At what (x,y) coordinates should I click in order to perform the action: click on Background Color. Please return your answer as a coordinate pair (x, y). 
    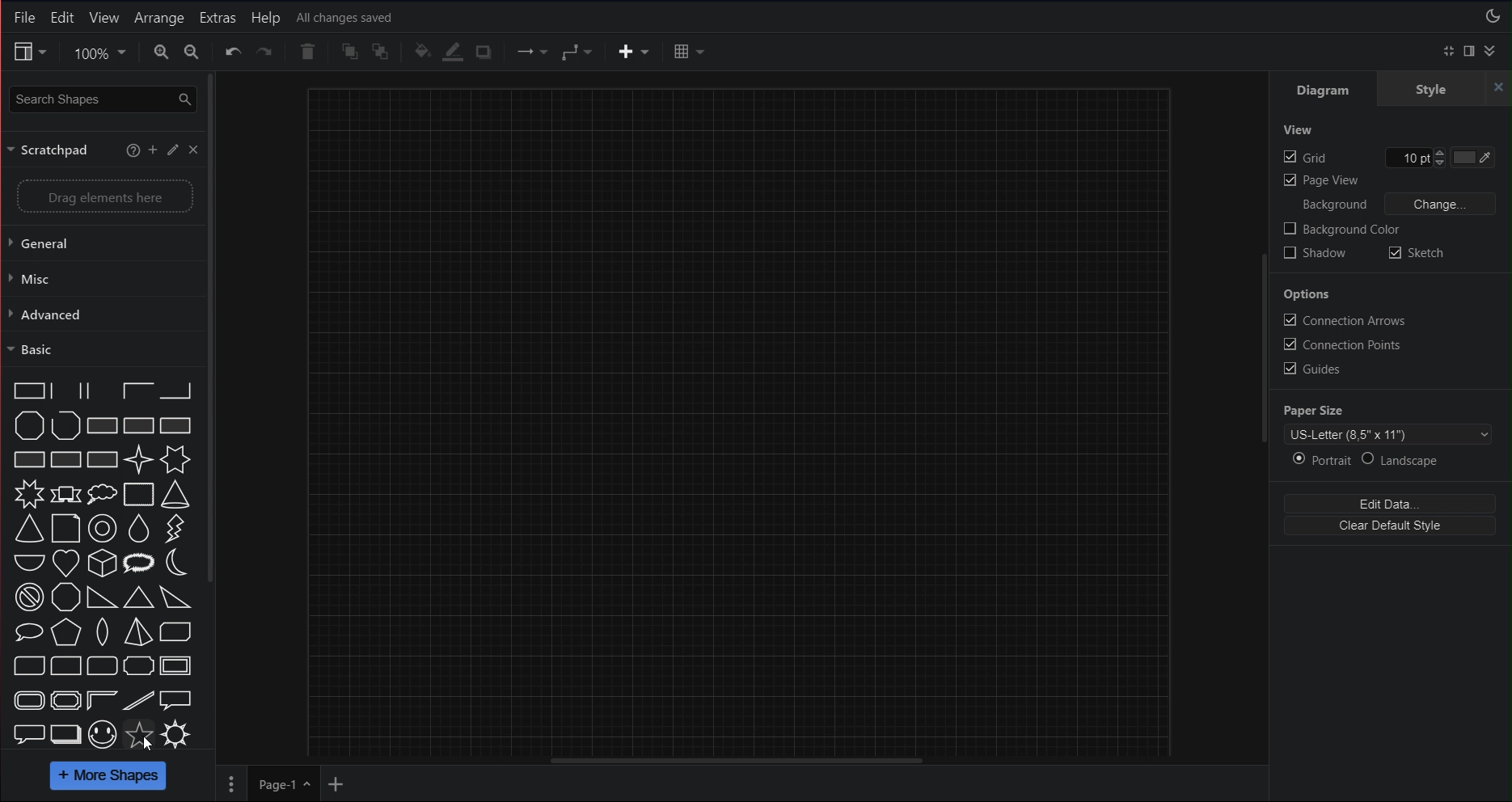
    Looking at the image, I should click on (1342, 228).